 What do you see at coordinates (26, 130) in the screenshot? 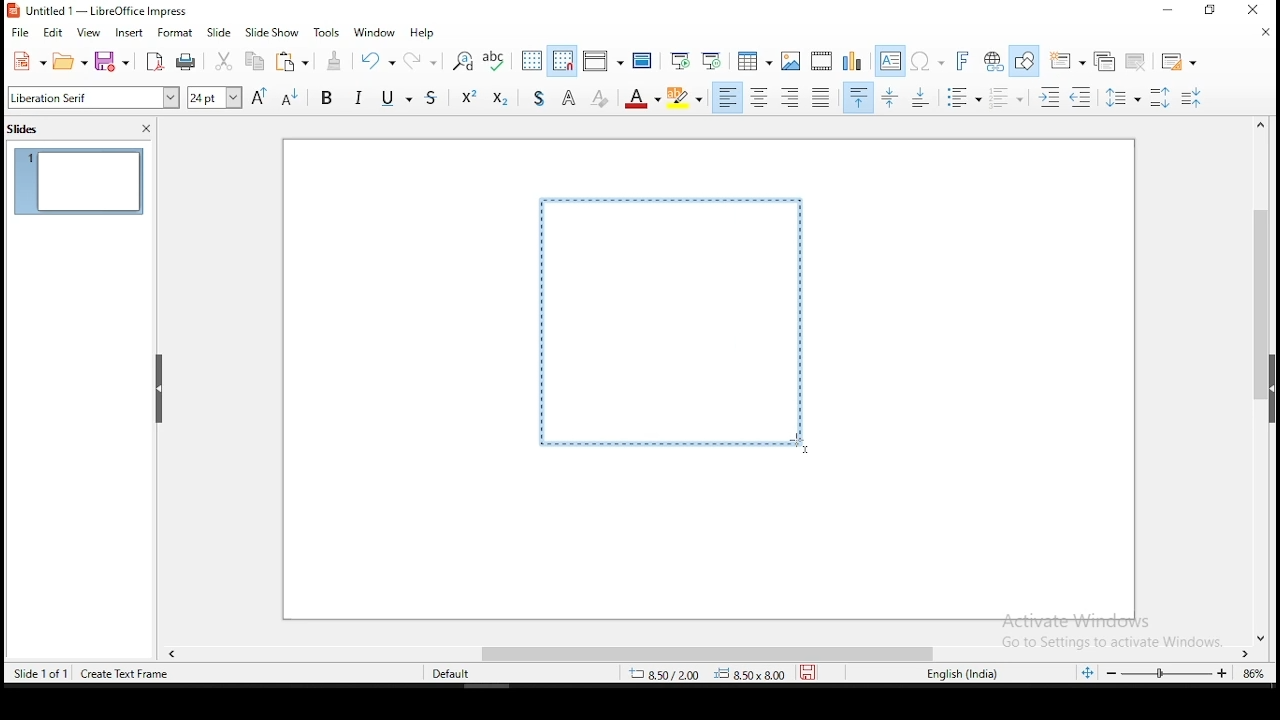
I see `slides` at bounding box center [26, 130].